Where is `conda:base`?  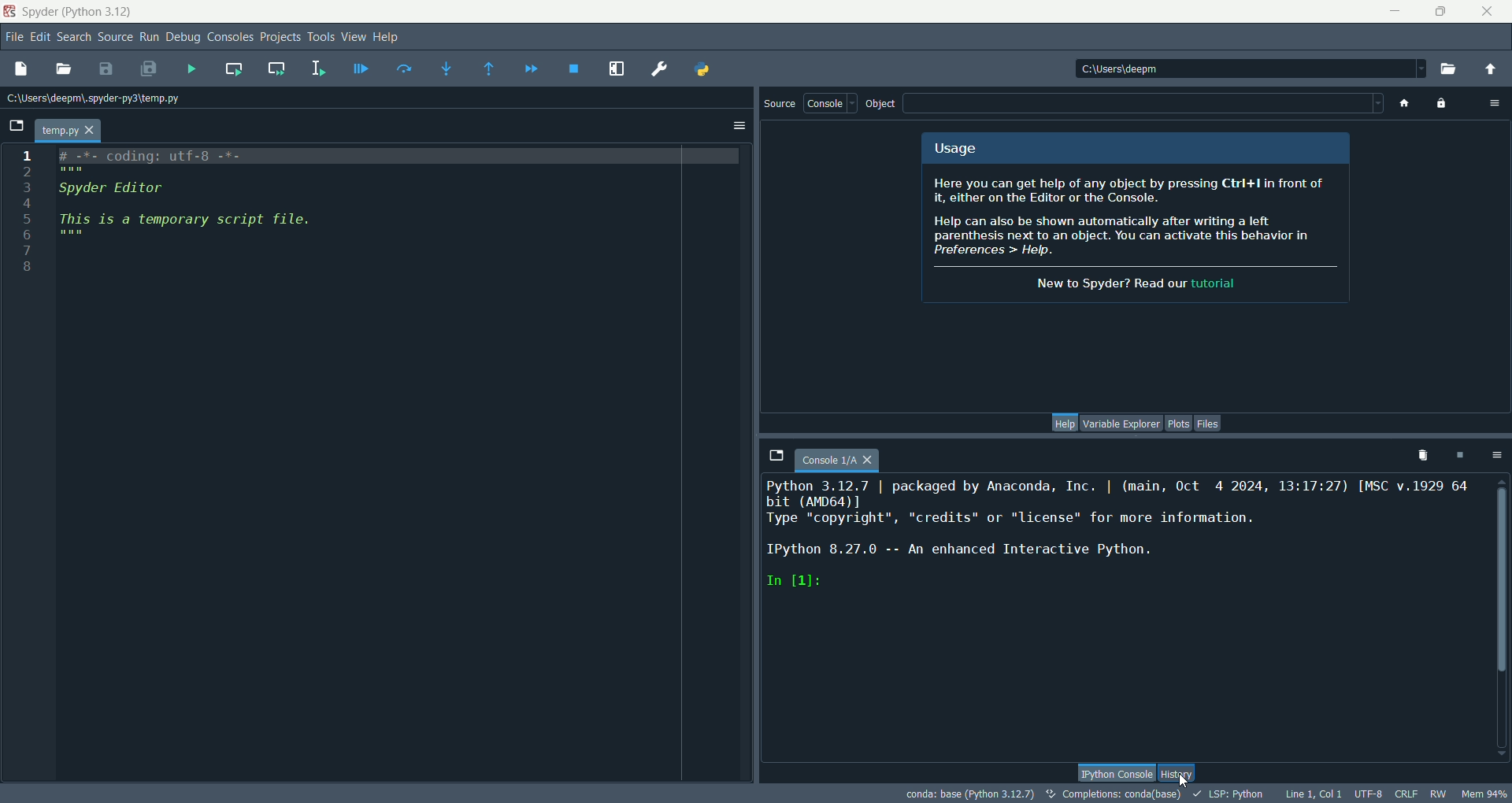 conda:base is located at coordinates (968, 794).